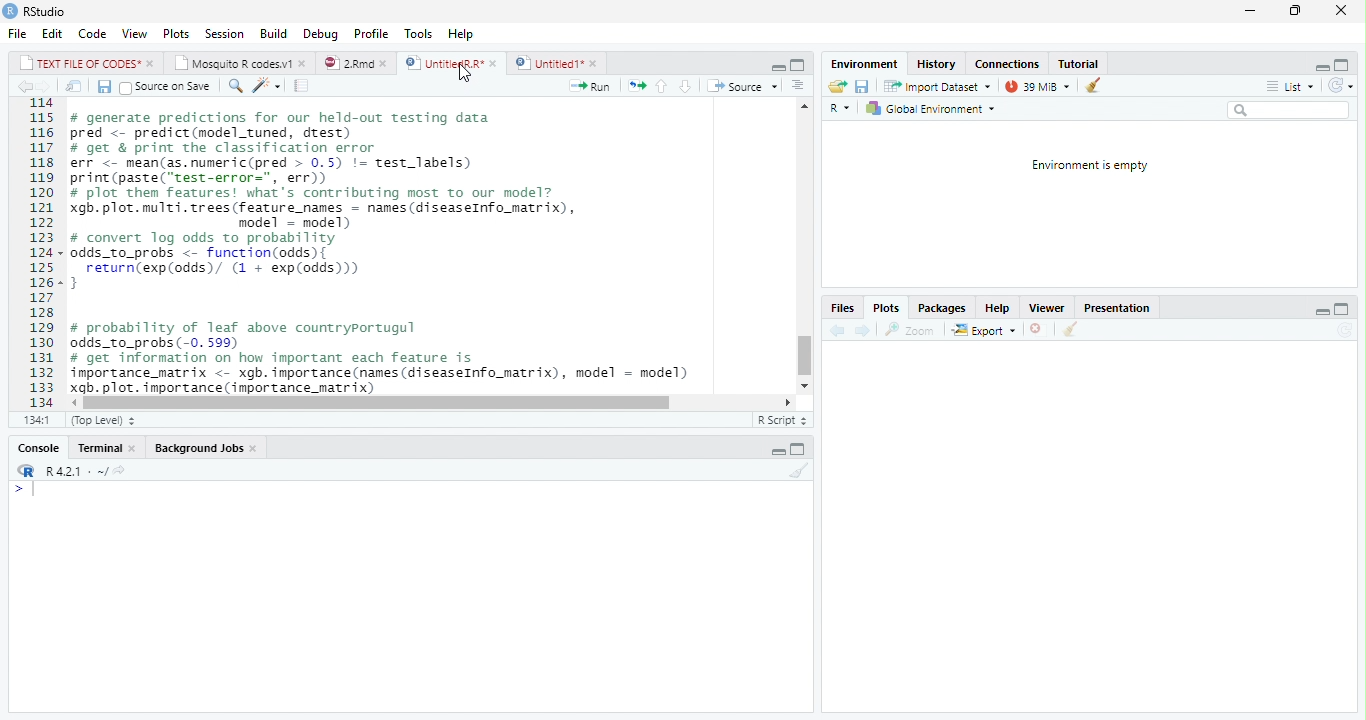 Image resolution: width=1366 pixels, height=720 pixels. What do you see at coordinates (938, 64) in the screenshot?
I see `History` at bounding box center [938, 64].